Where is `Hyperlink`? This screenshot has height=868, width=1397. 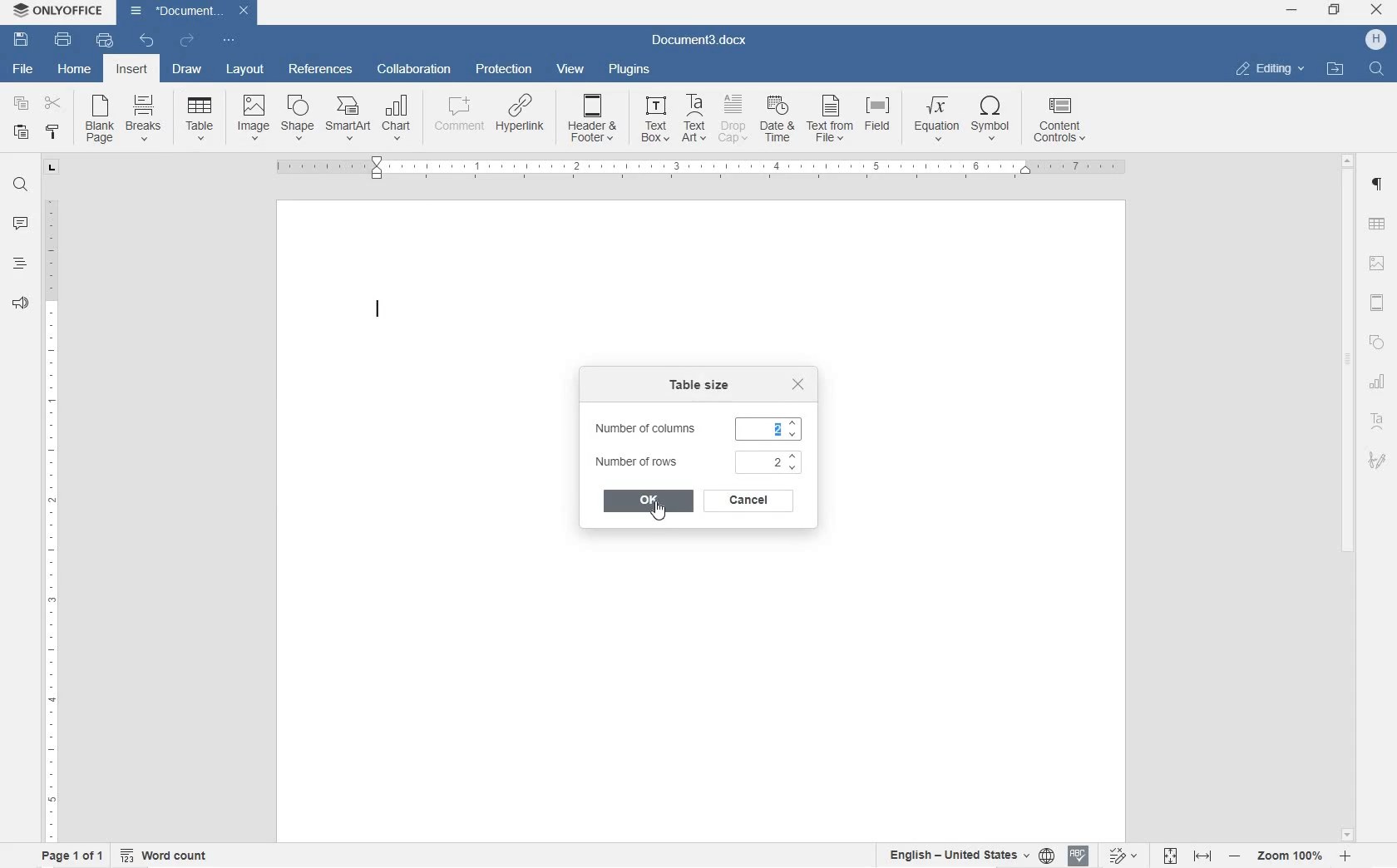
Hyperlink is located at coordinates (519, 119).